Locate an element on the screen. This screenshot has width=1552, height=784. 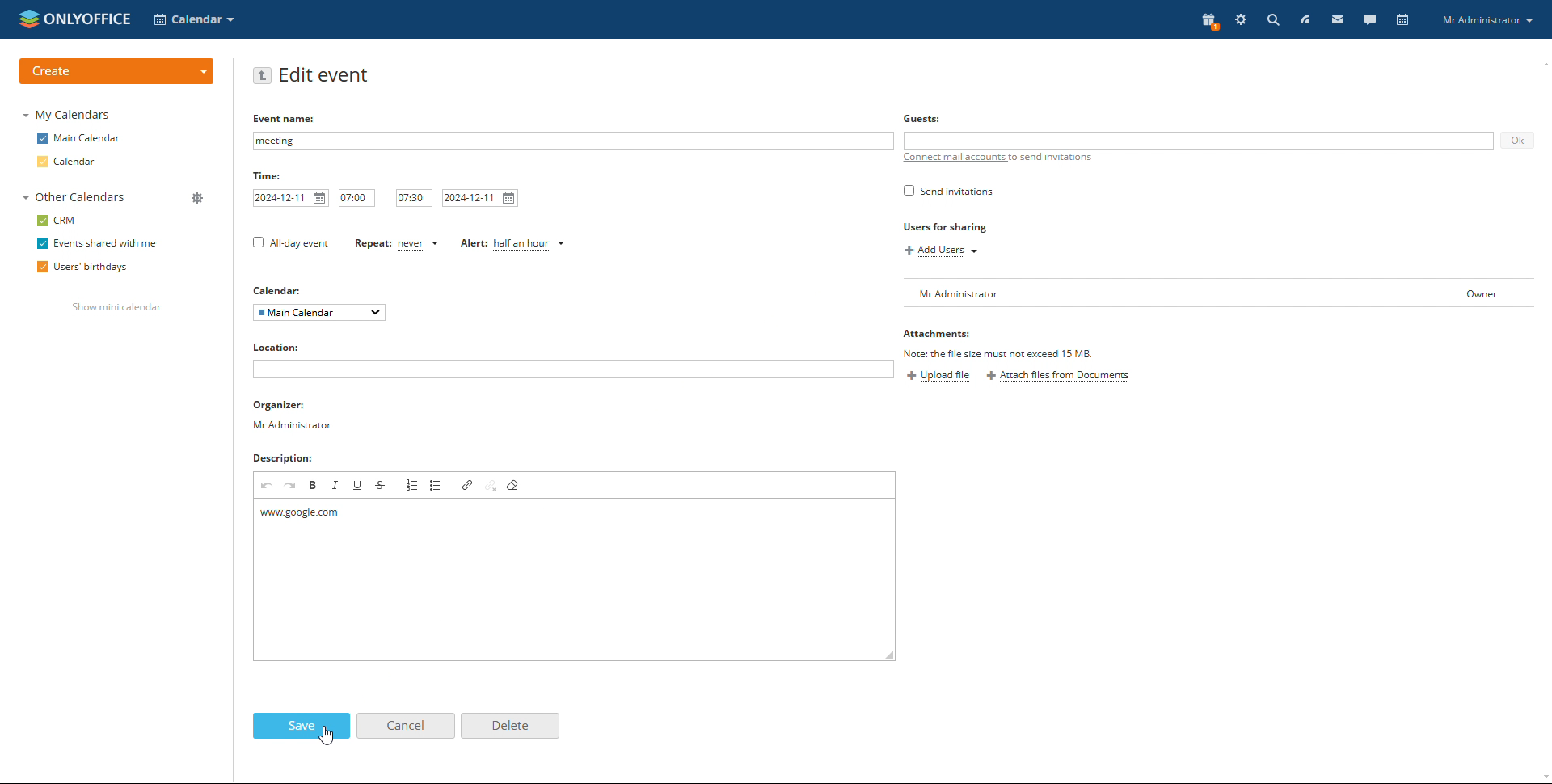
add users is located at coordinates (941, 251).